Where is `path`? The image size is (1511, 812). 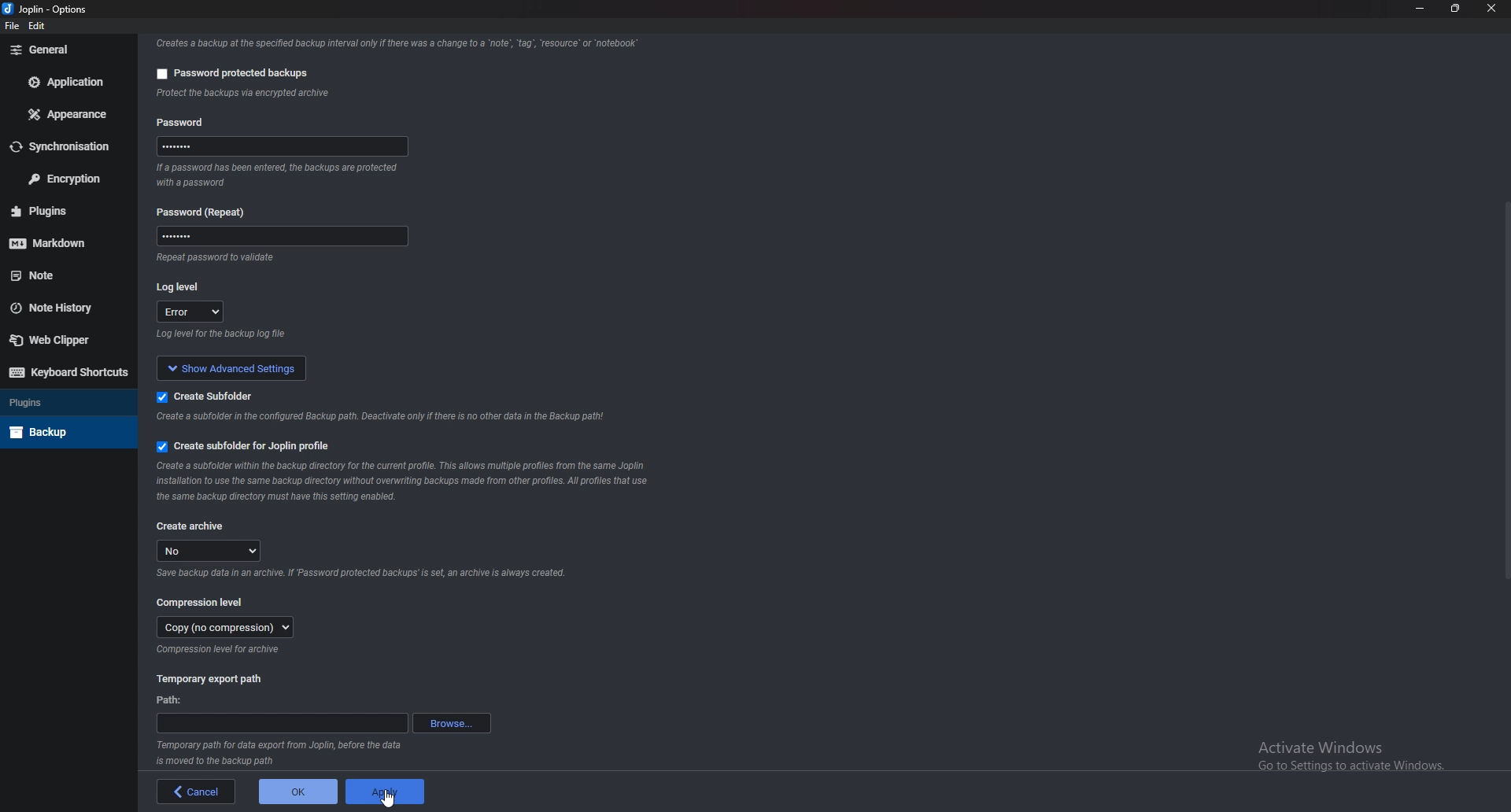 path is located at coordinates (281, 724).